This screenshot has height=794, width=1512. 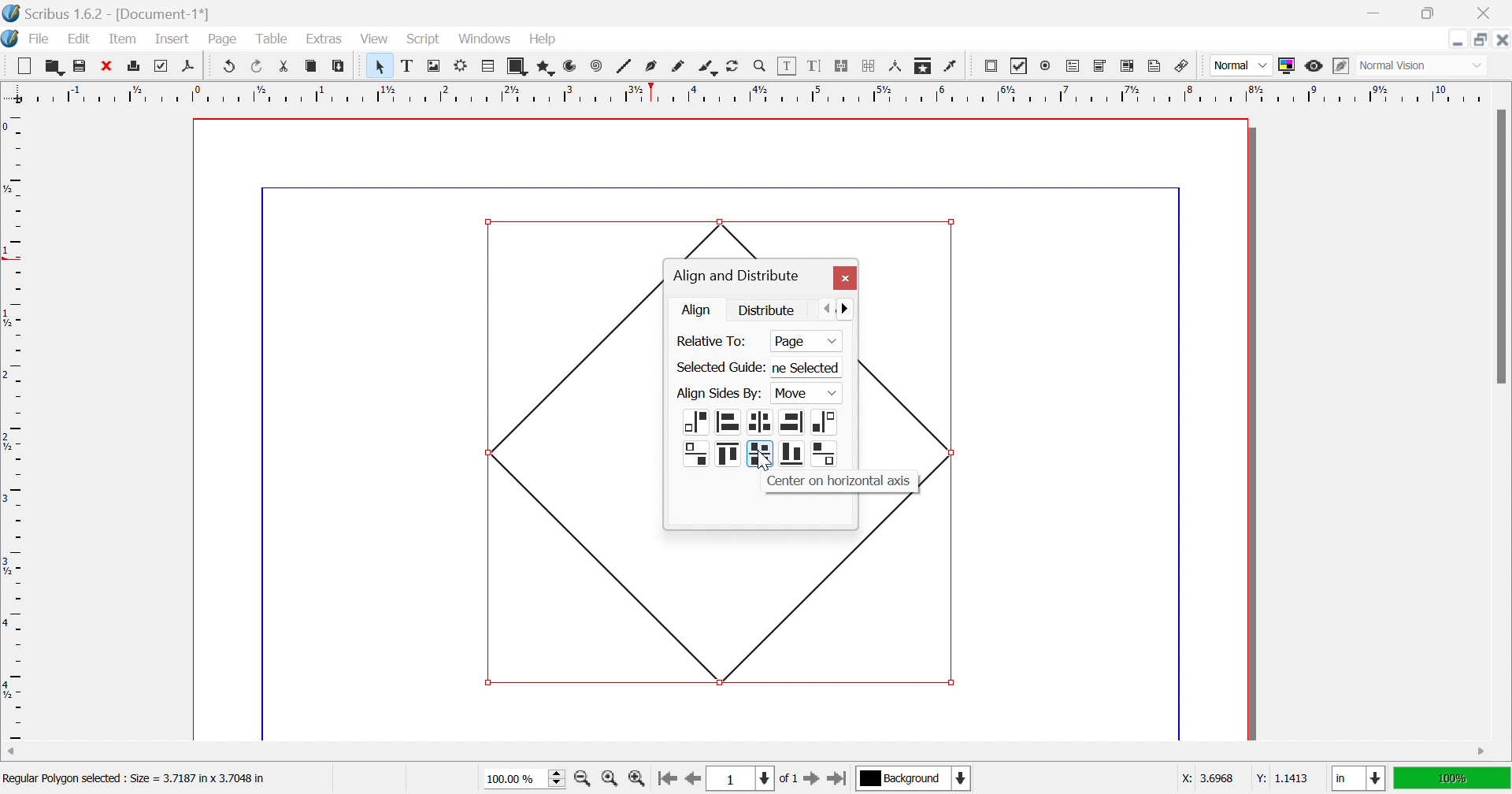 I want to click on Go to the first page, so click(x=666, y=783).